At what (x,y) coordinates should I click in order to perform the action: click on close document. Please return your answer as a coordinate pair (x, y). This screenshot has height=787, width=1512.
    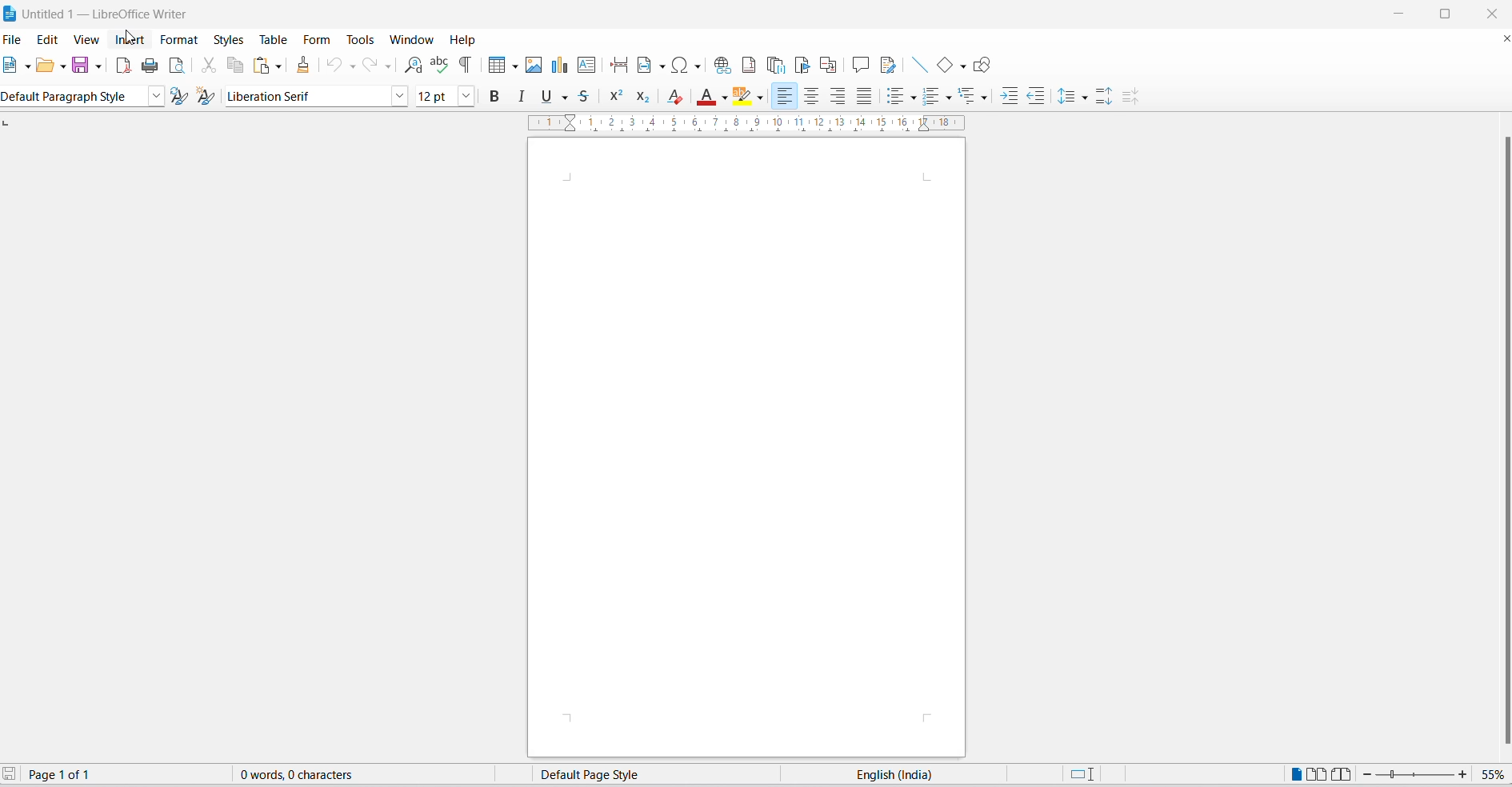
    Looking at the image, I should click on (1502, 41).